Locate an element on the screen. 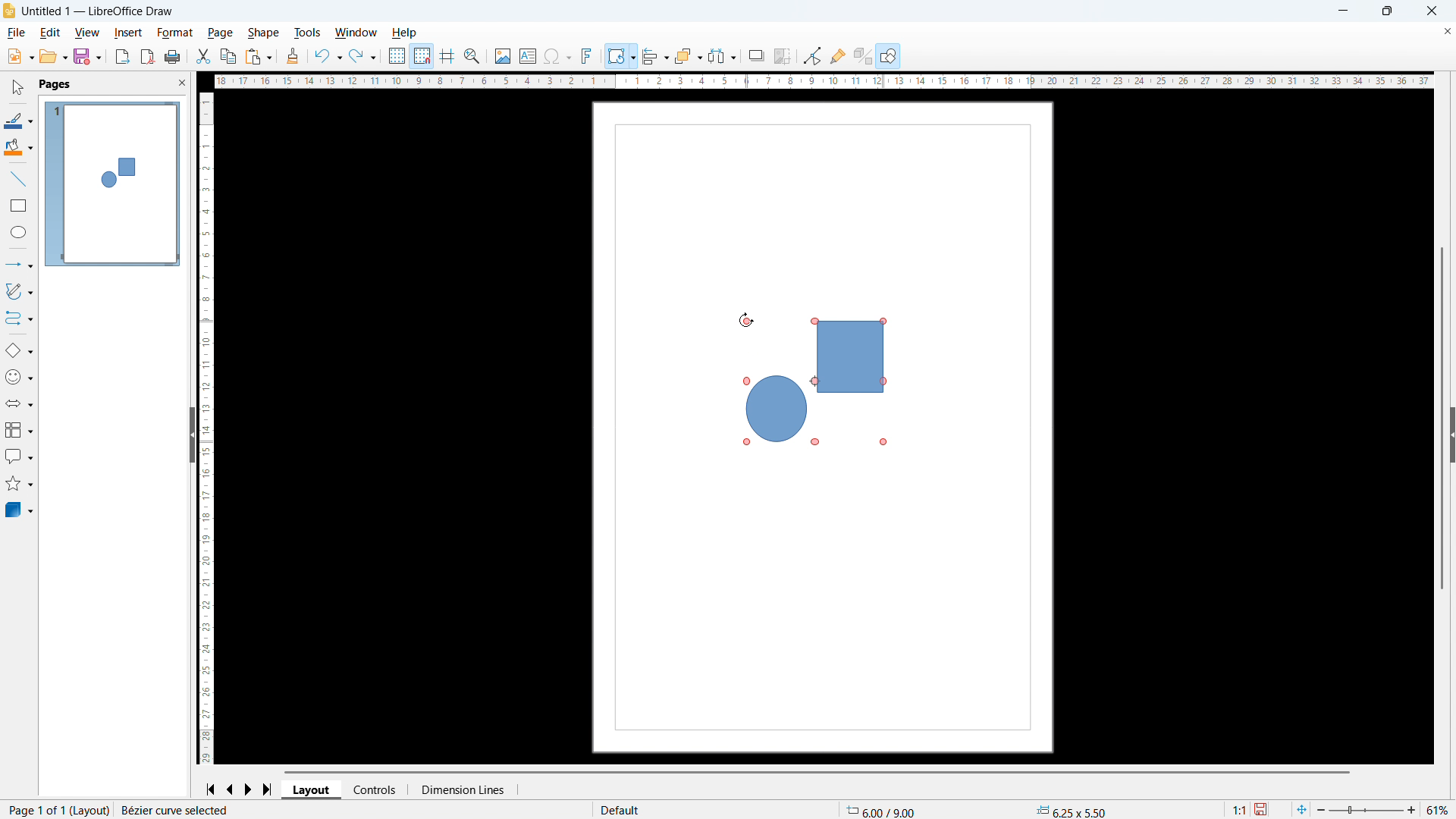 This screenshot has width=1456, height=819. Cursor  is located at coordinates (746, 321).